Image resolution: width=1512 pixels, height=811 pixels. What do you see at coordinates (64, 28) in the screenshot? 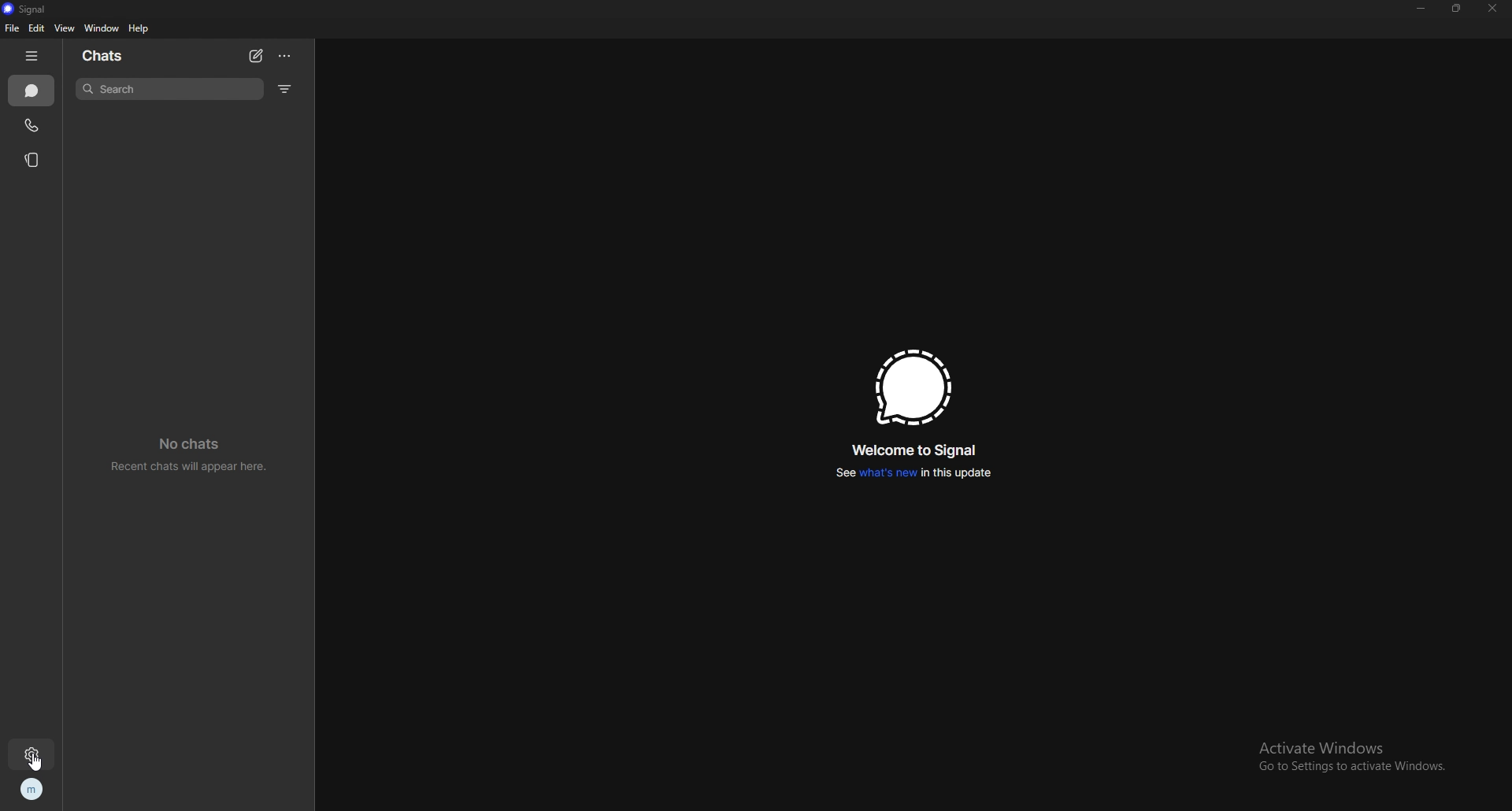
I see `view` at bounding box center [64, 28].